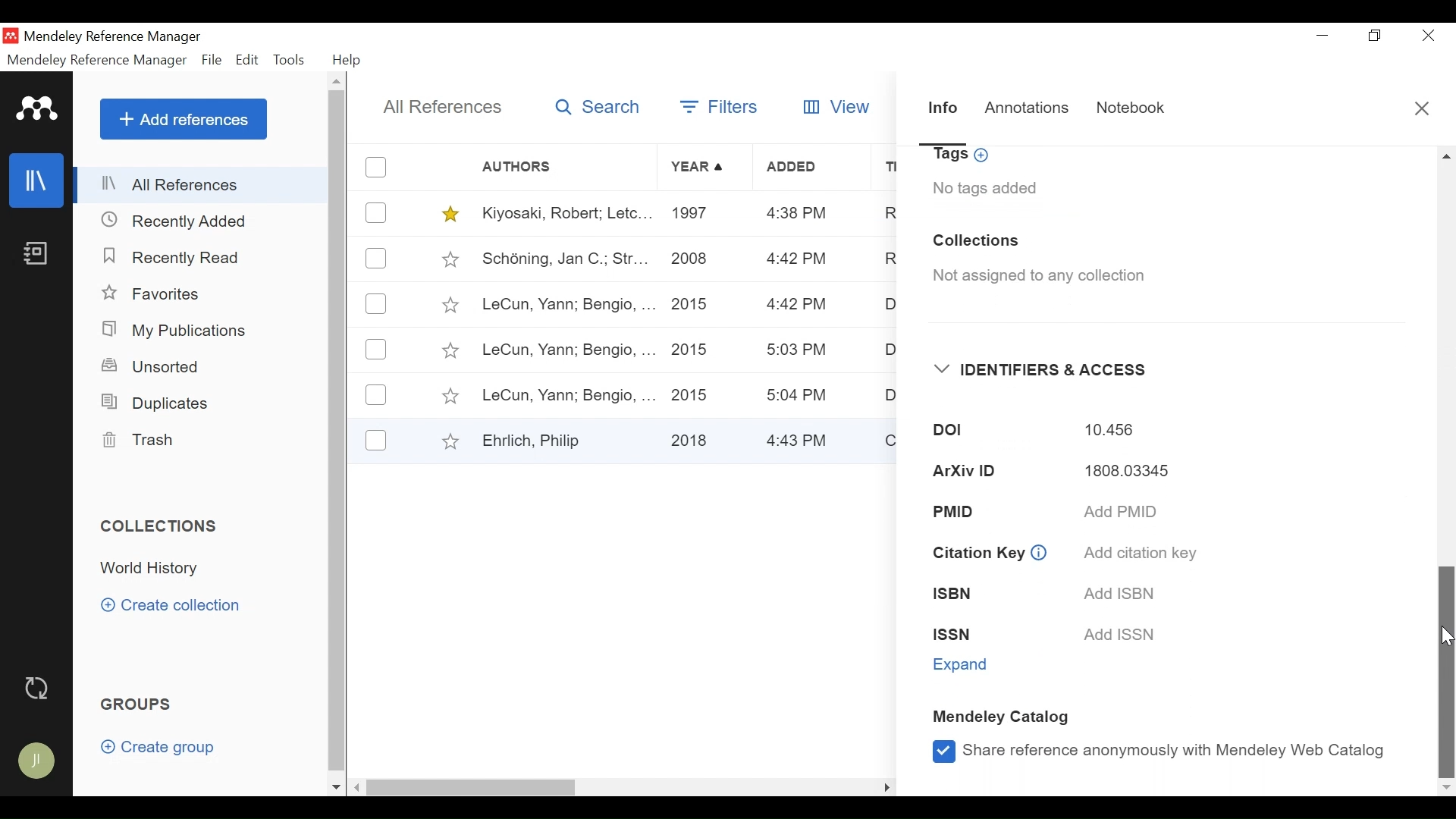 This screenshot has width=1456, height=819. Describe the element at coordinates (796, 260) in the screenshot. I see `4:42 PM` at that location.